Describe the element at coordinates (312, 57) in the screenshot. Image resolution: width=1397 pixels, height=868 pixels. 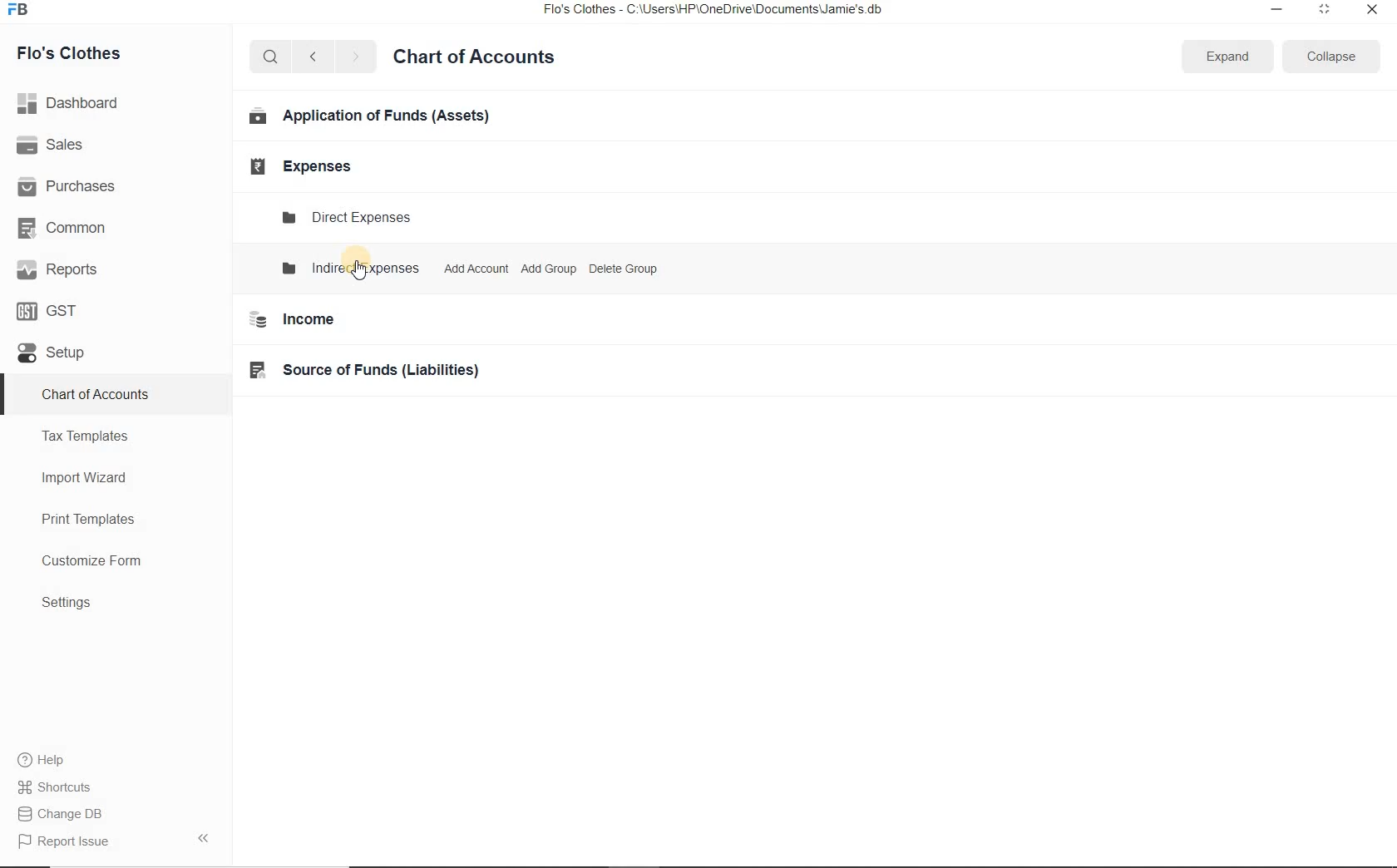
I see `previous` at that location.